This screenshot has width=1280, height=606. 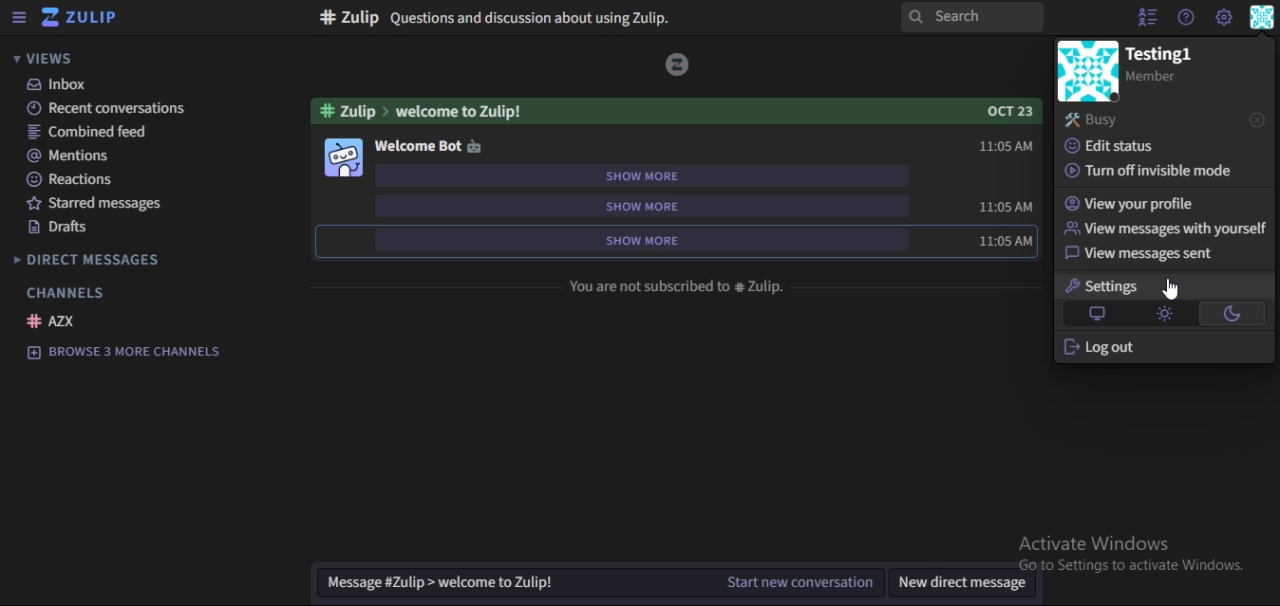 I want to click on views, so click(x=48, y=58).